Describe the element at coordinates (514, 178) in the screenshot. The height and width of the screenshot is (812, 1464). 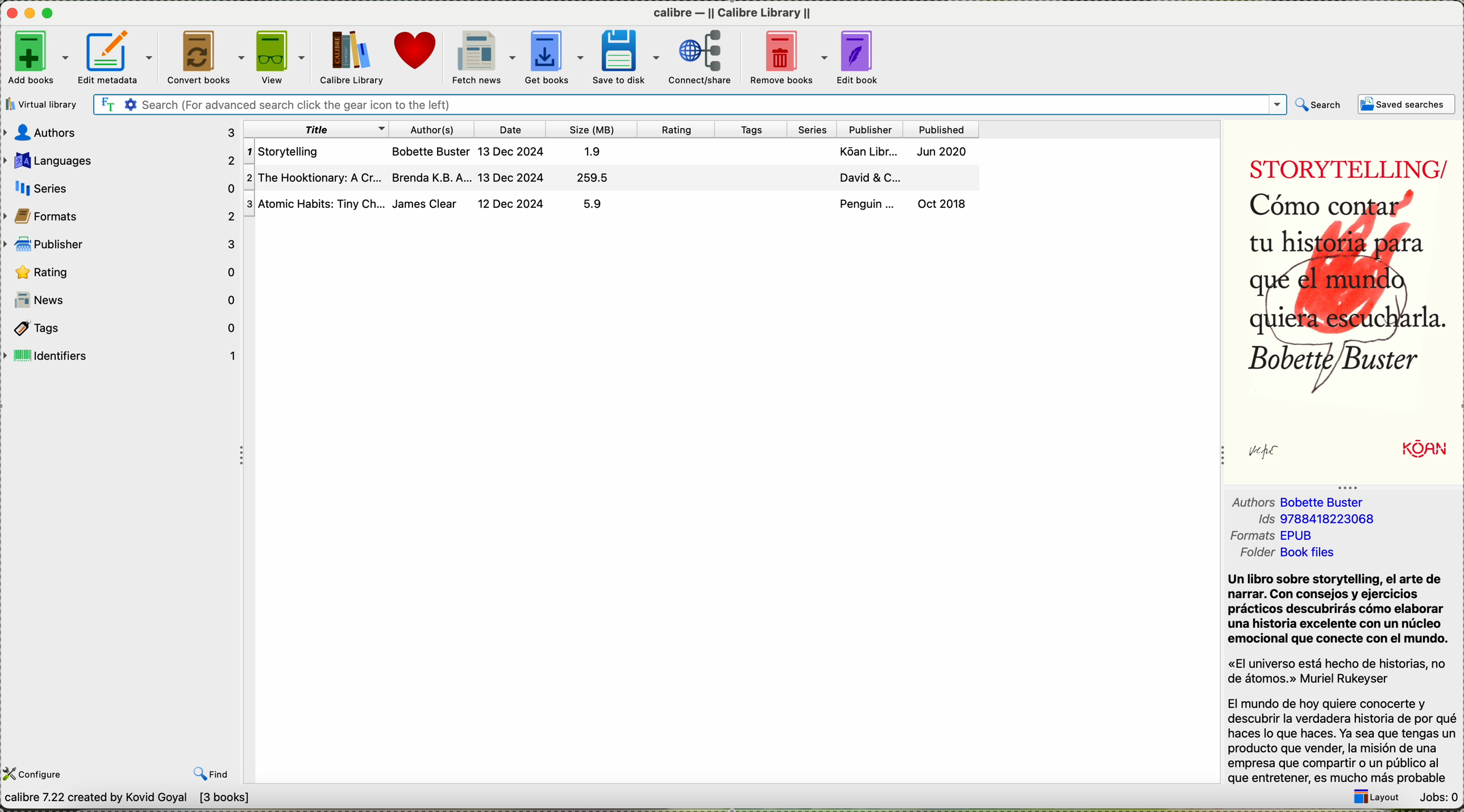
I see `13 Dec 2024` at that location.